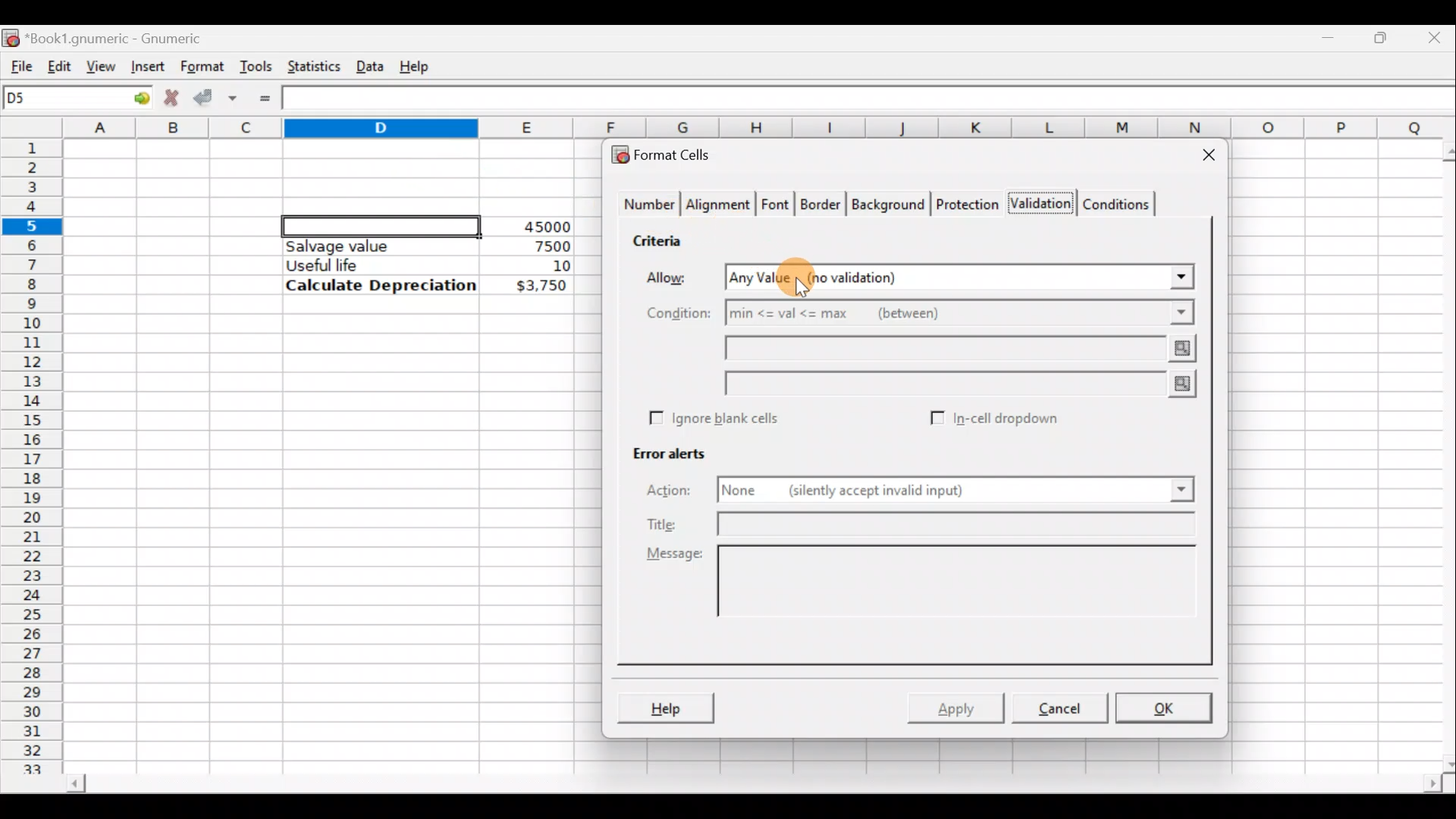 This screenshot has height=819, width=1456. What do you see at coordinates (1009, 419) in the screenshot?
I see `In-cell dropdown` at bounding box center [1009, 419].